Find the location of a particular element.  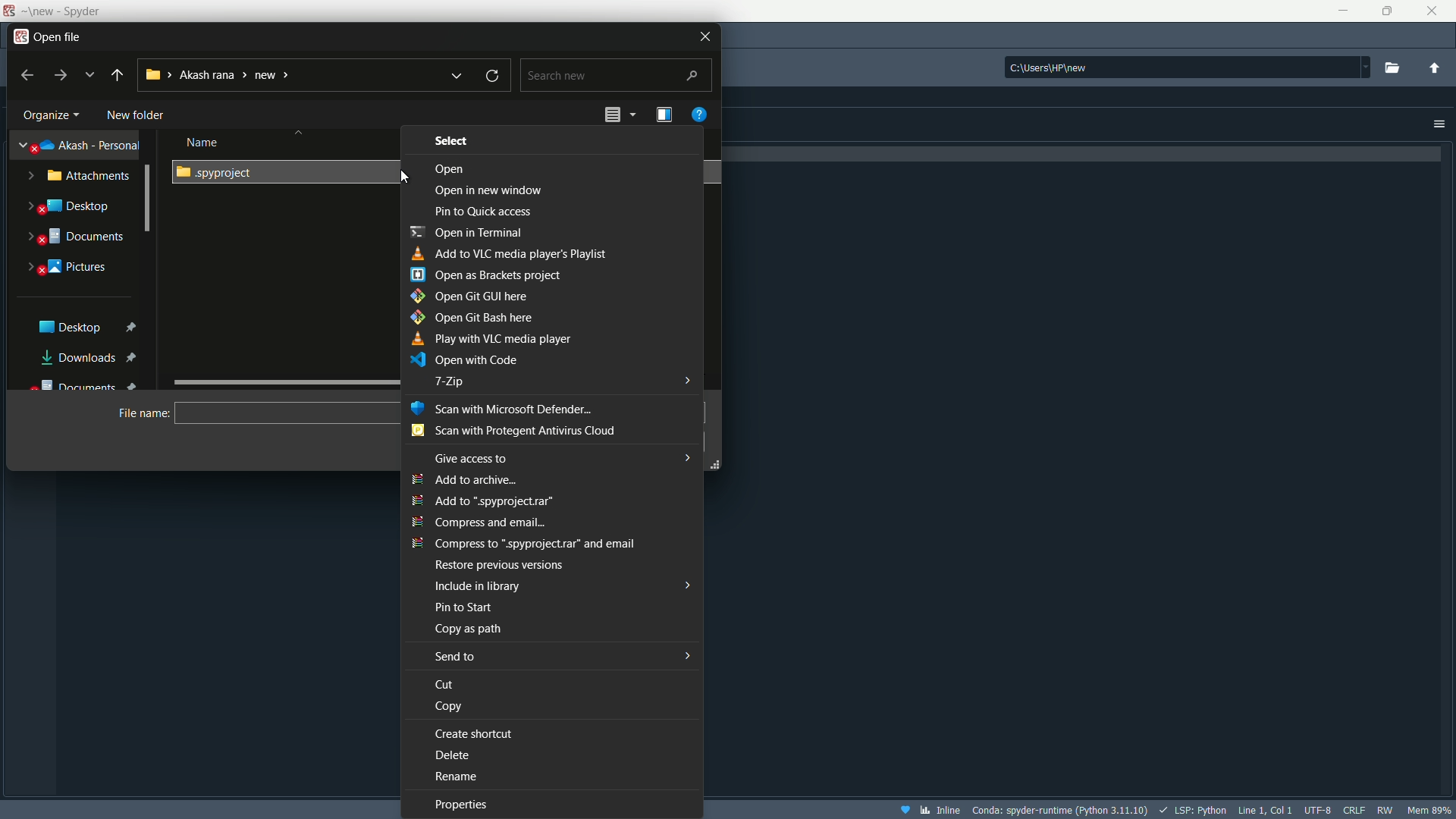

Name is located at coordinates (216, 143).